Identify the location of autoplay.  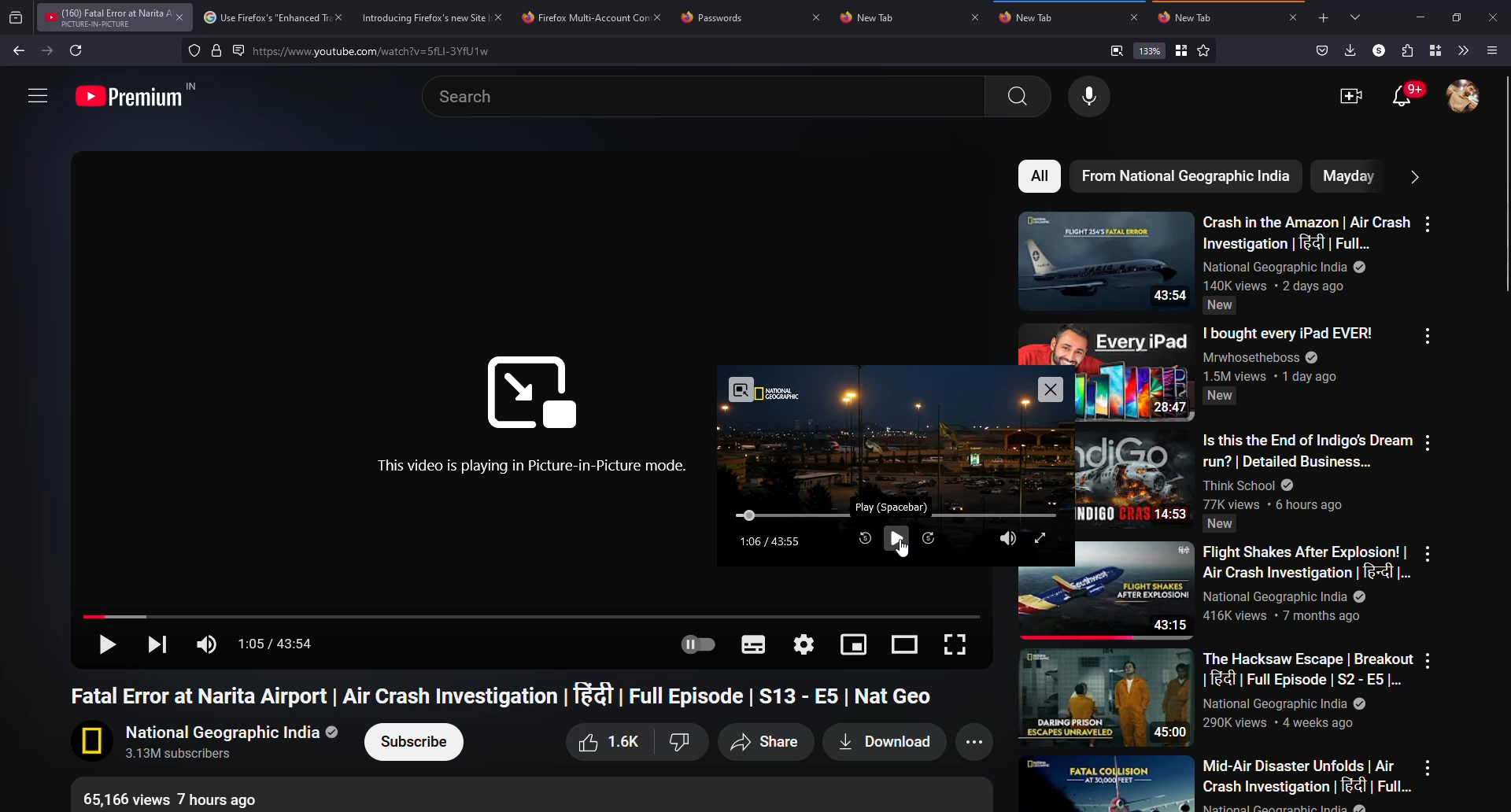
(696, 645).